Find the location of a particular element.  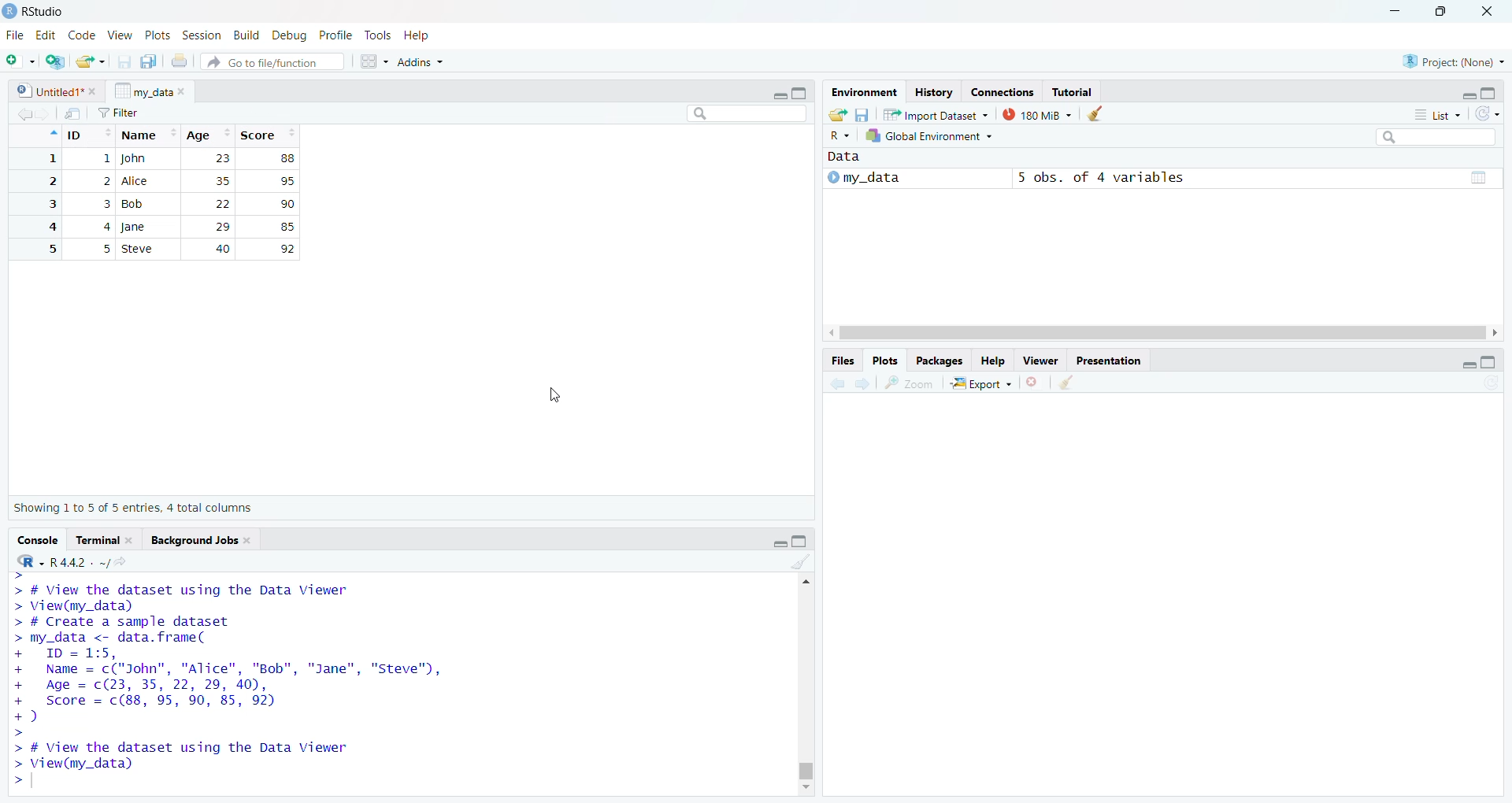

Age is located at coordinates (208, 135).